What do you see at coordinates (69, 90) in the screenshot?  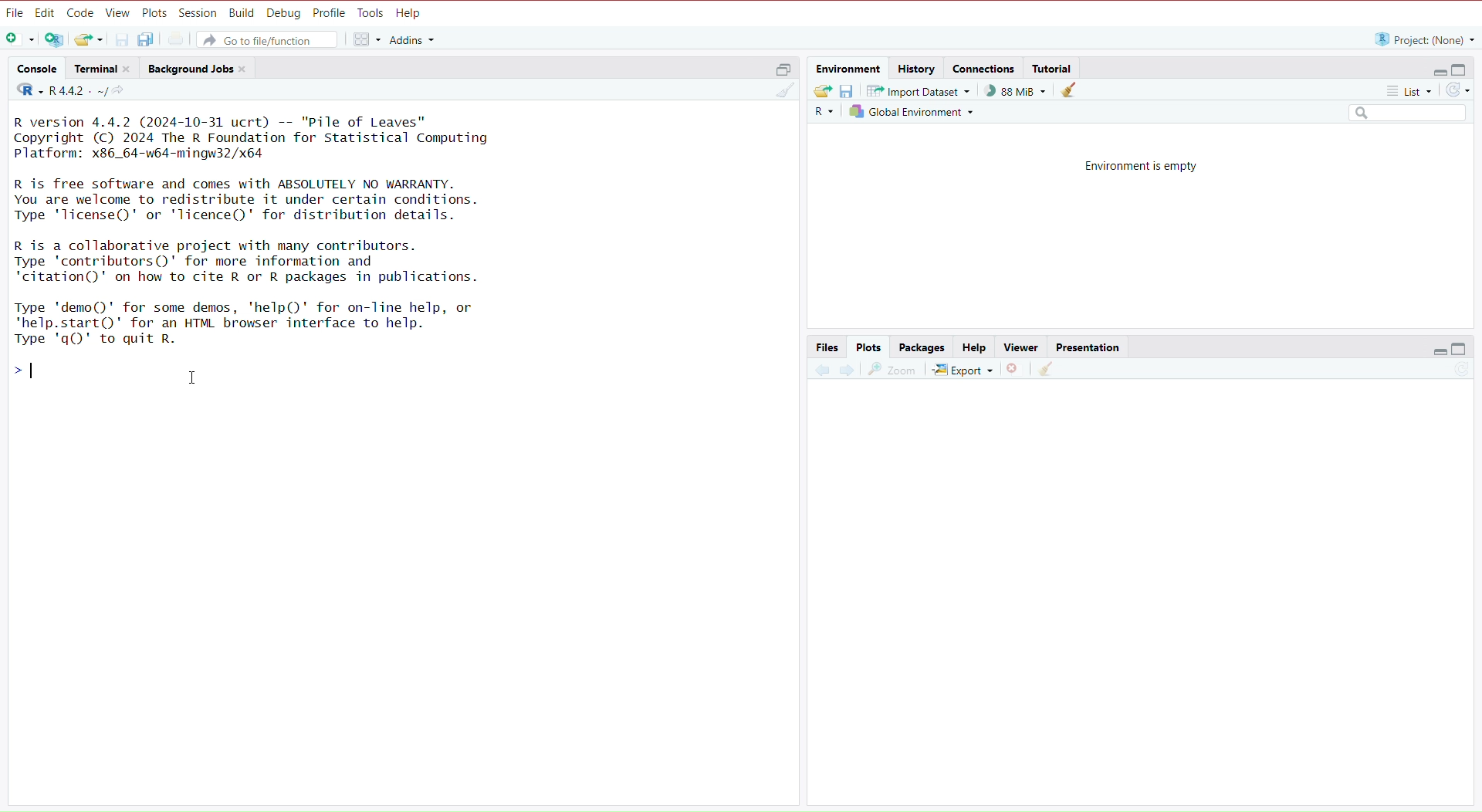 I see `R442. ~/` at bounding box center [69, 90].